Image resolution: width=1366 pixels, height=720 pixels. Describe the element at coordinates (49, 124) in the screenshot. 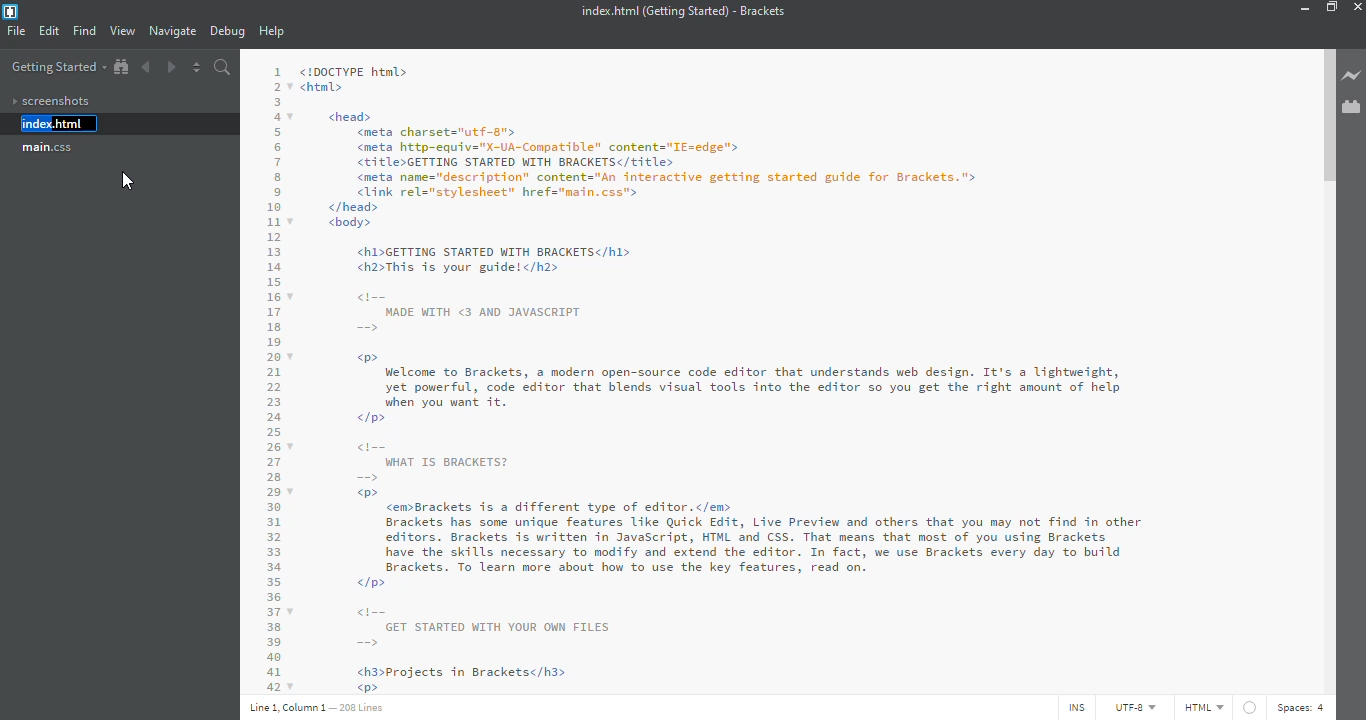

I see `index` at that location.